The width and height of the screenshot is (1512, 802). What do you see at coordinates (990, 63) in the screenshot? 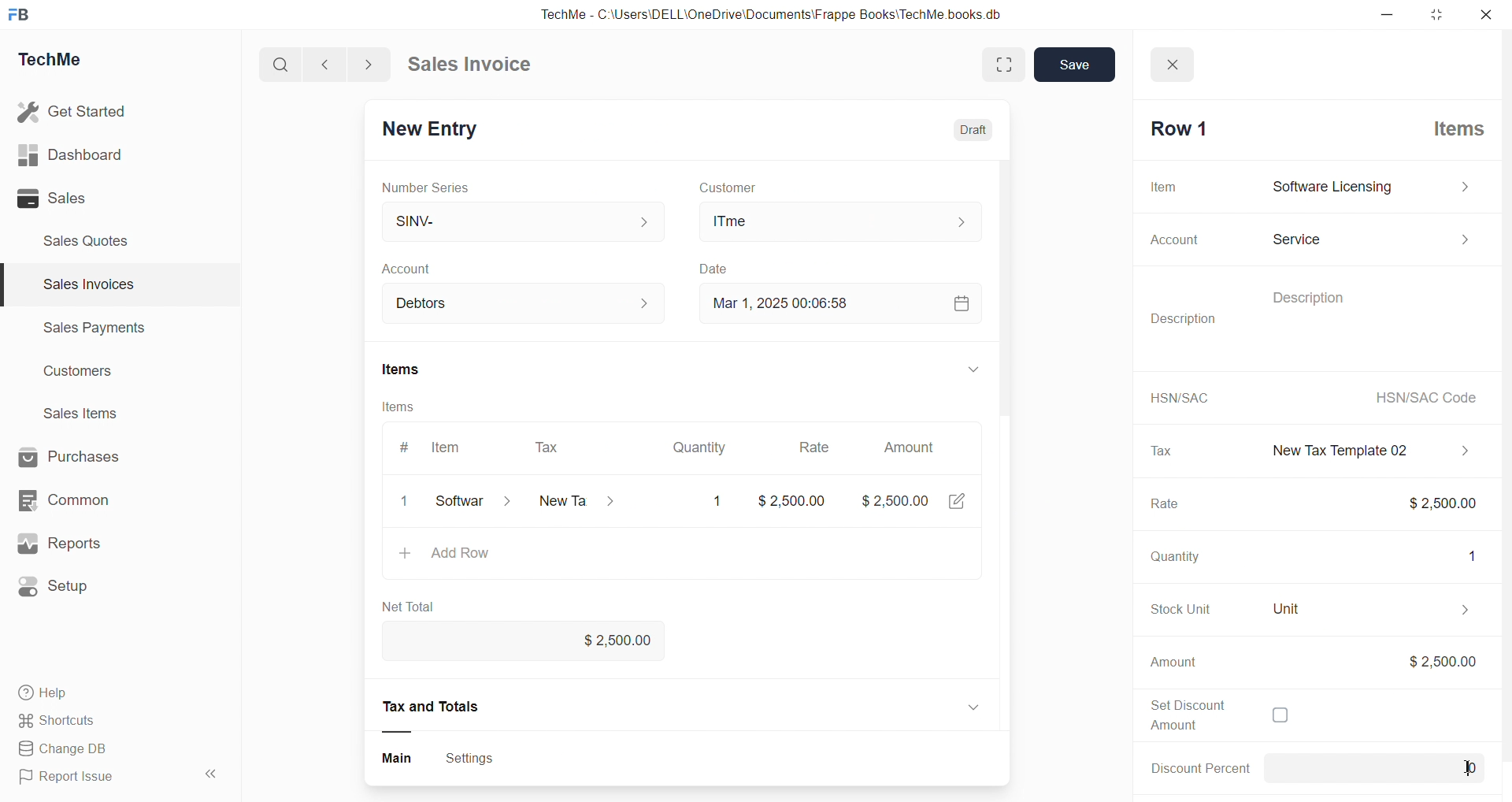
I see `Full width` at bounding box center [990, 63].